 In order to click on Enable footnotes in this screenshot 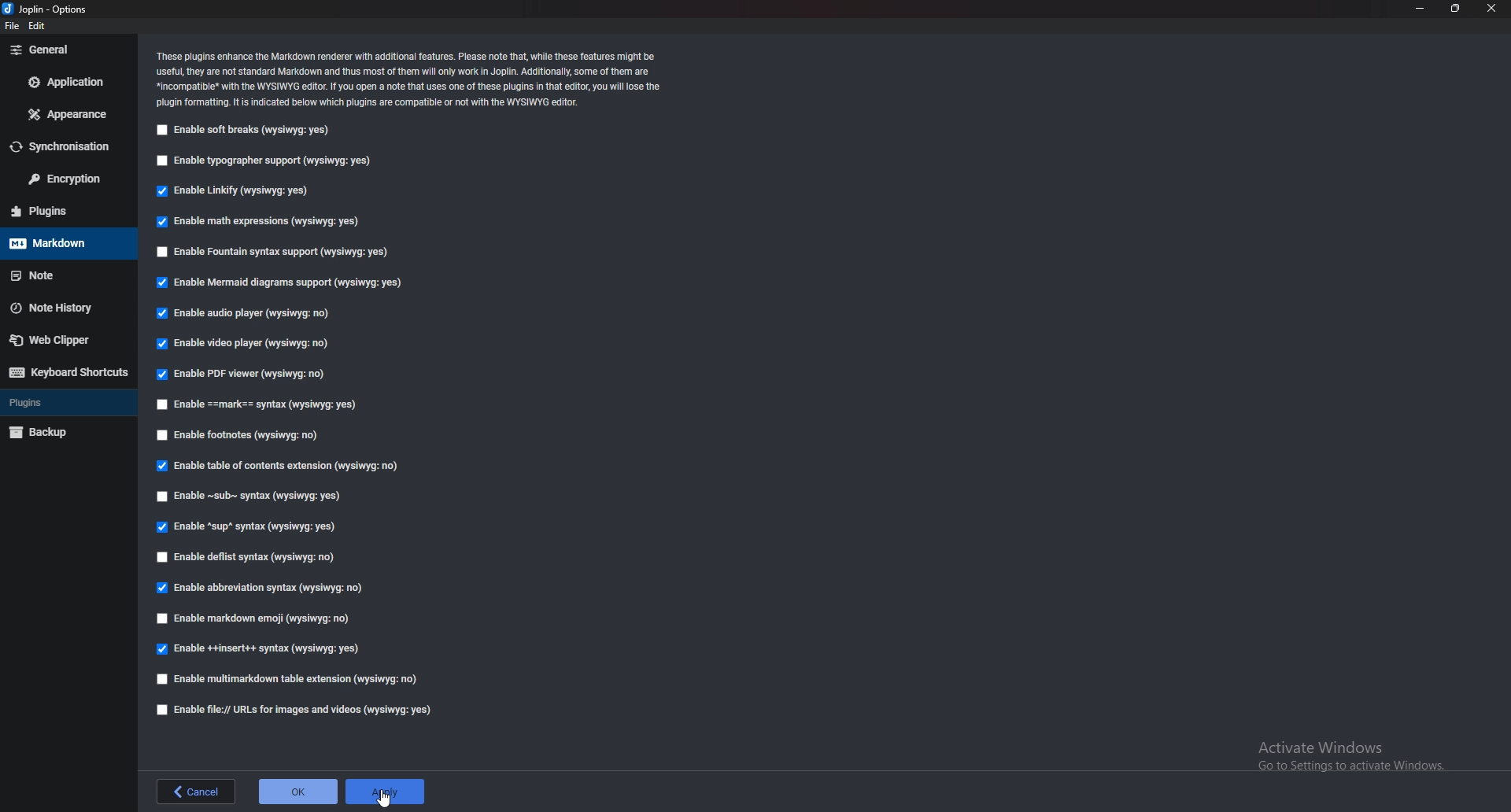, I will do `click(241, 434)`.